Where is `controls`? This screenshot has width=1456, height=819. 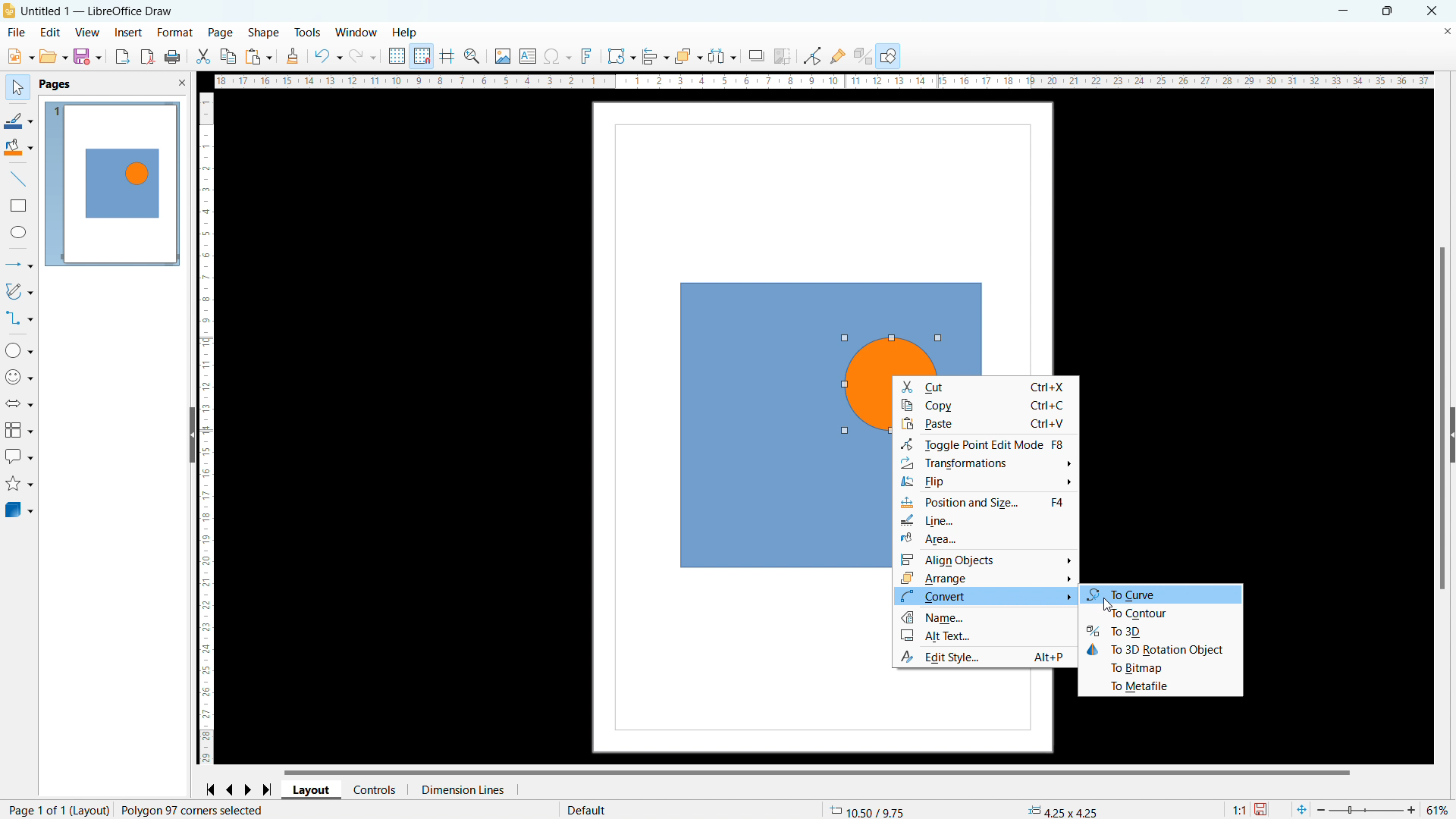 controls is located at coordinates (375, 790).